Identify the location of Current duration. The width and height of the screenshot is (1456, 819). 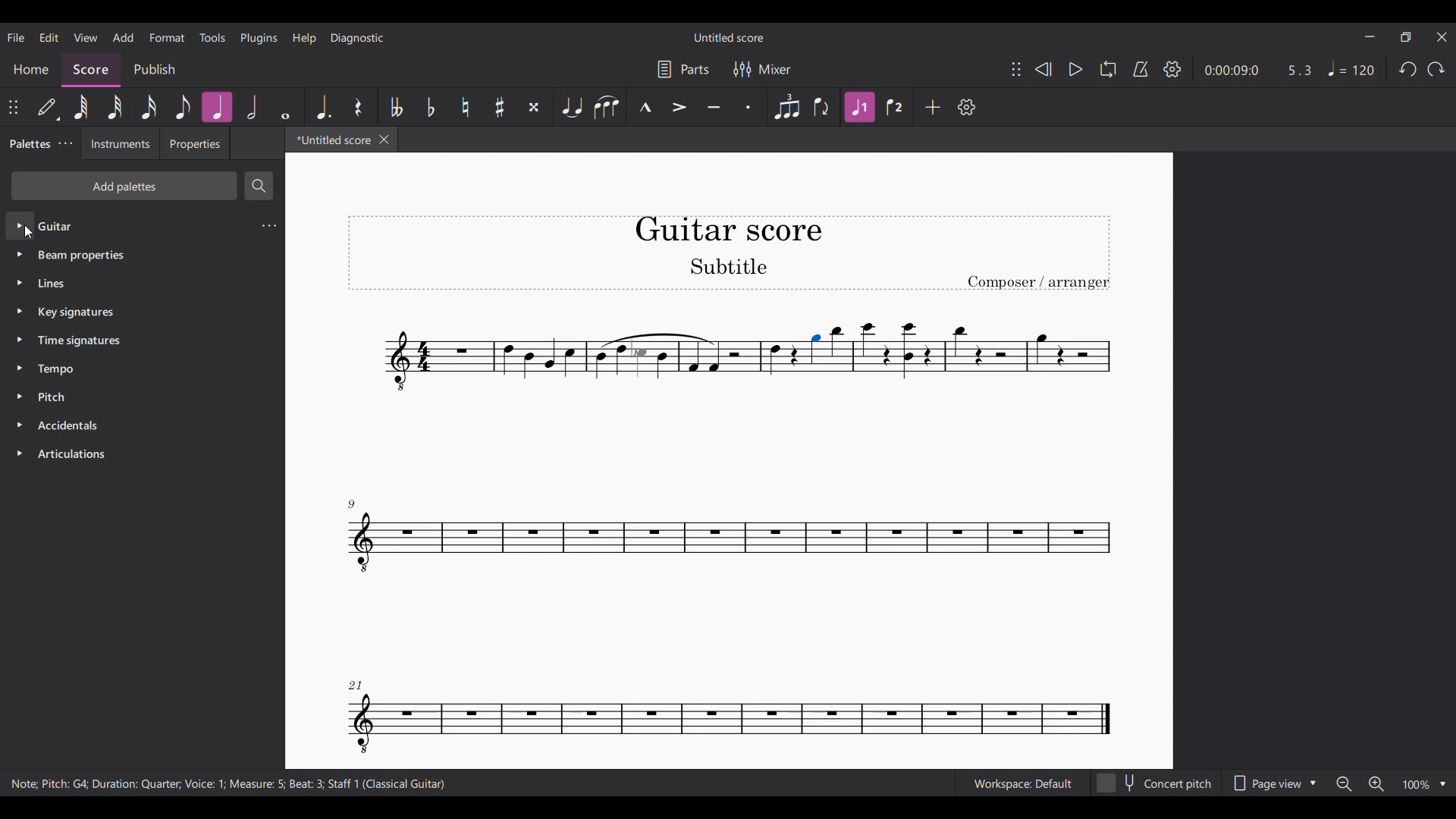
(1232, 69).